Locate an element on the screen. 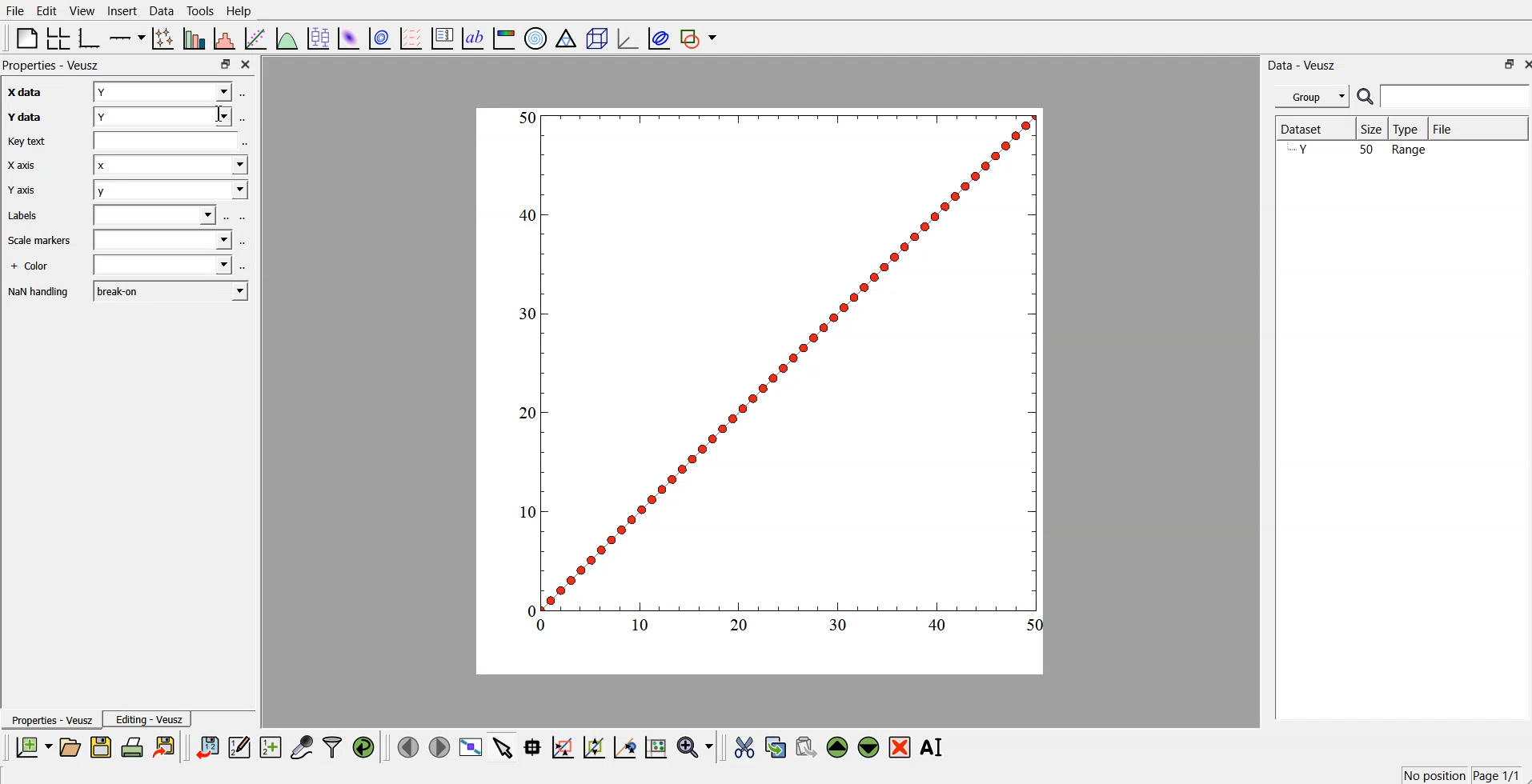 The height and width of the screenshot is (784, 1532). plot box plots is located at coordinates (321, 38).